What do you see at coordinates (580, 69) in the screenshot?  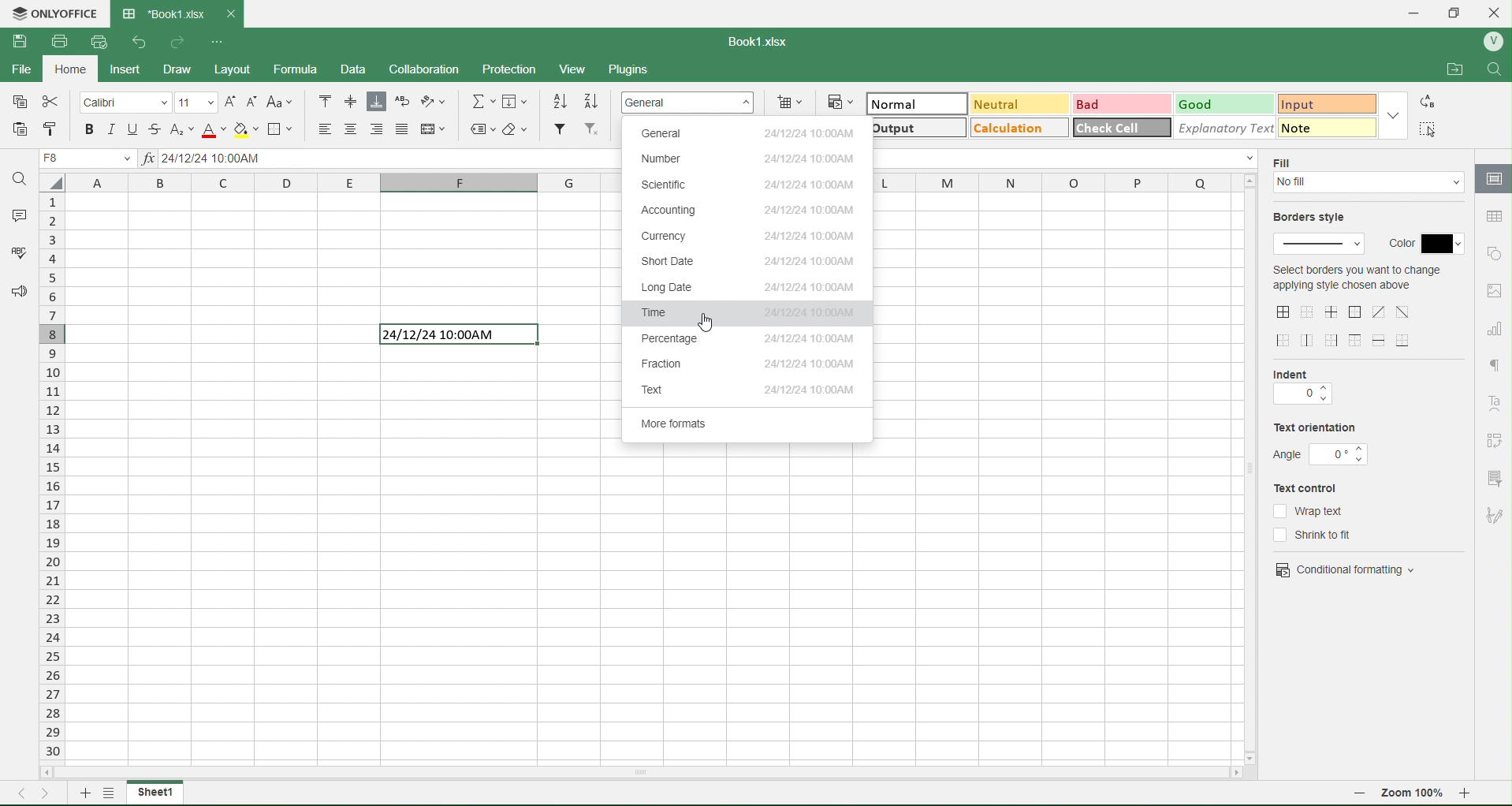 I see `View` at bounding box center [580, 69].